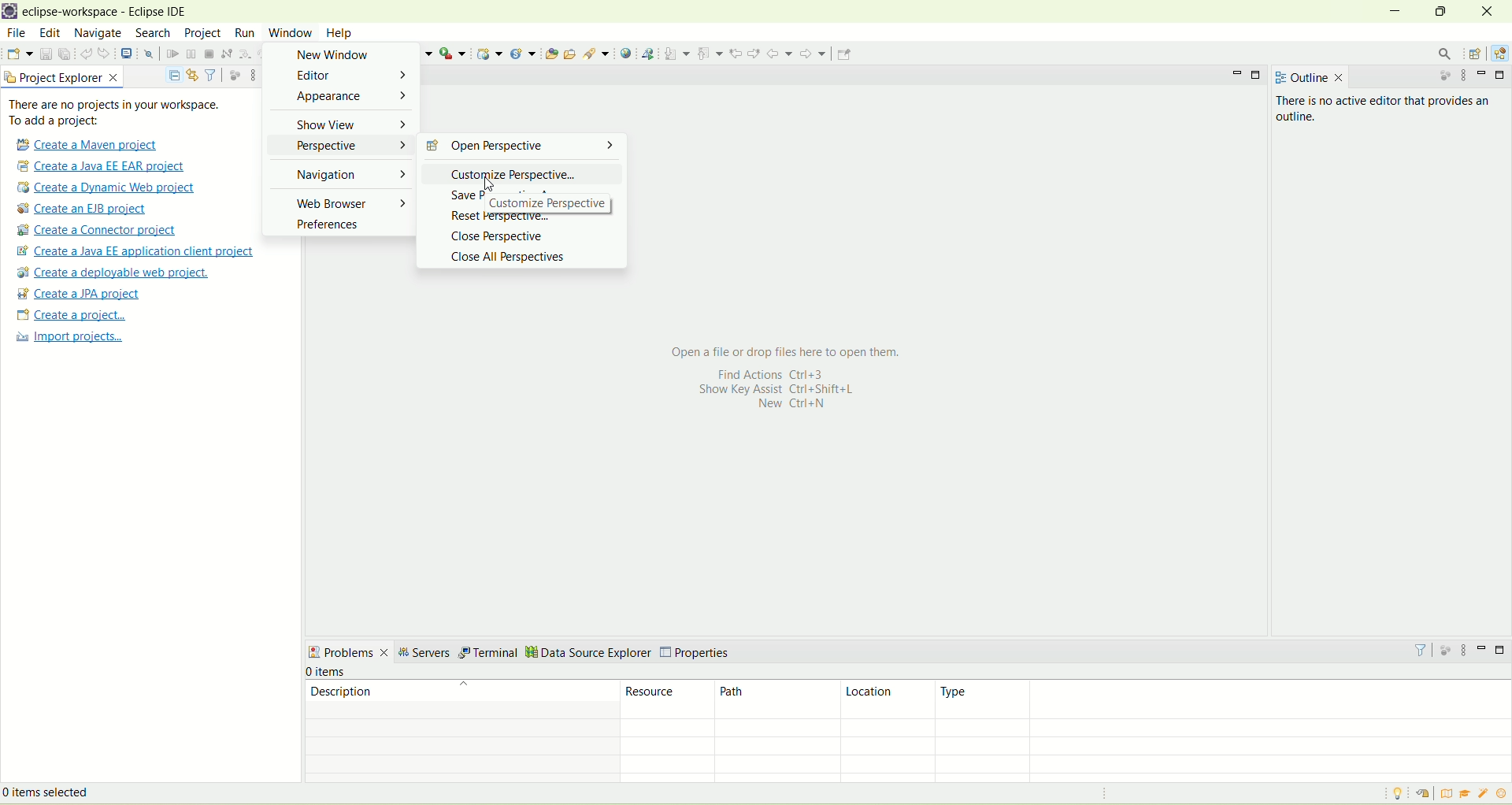 The height and width of the screenshot is (805, 1512). Describe the element at coordinates (843, 56) in the screenshot. I see `pin editor` at that location.